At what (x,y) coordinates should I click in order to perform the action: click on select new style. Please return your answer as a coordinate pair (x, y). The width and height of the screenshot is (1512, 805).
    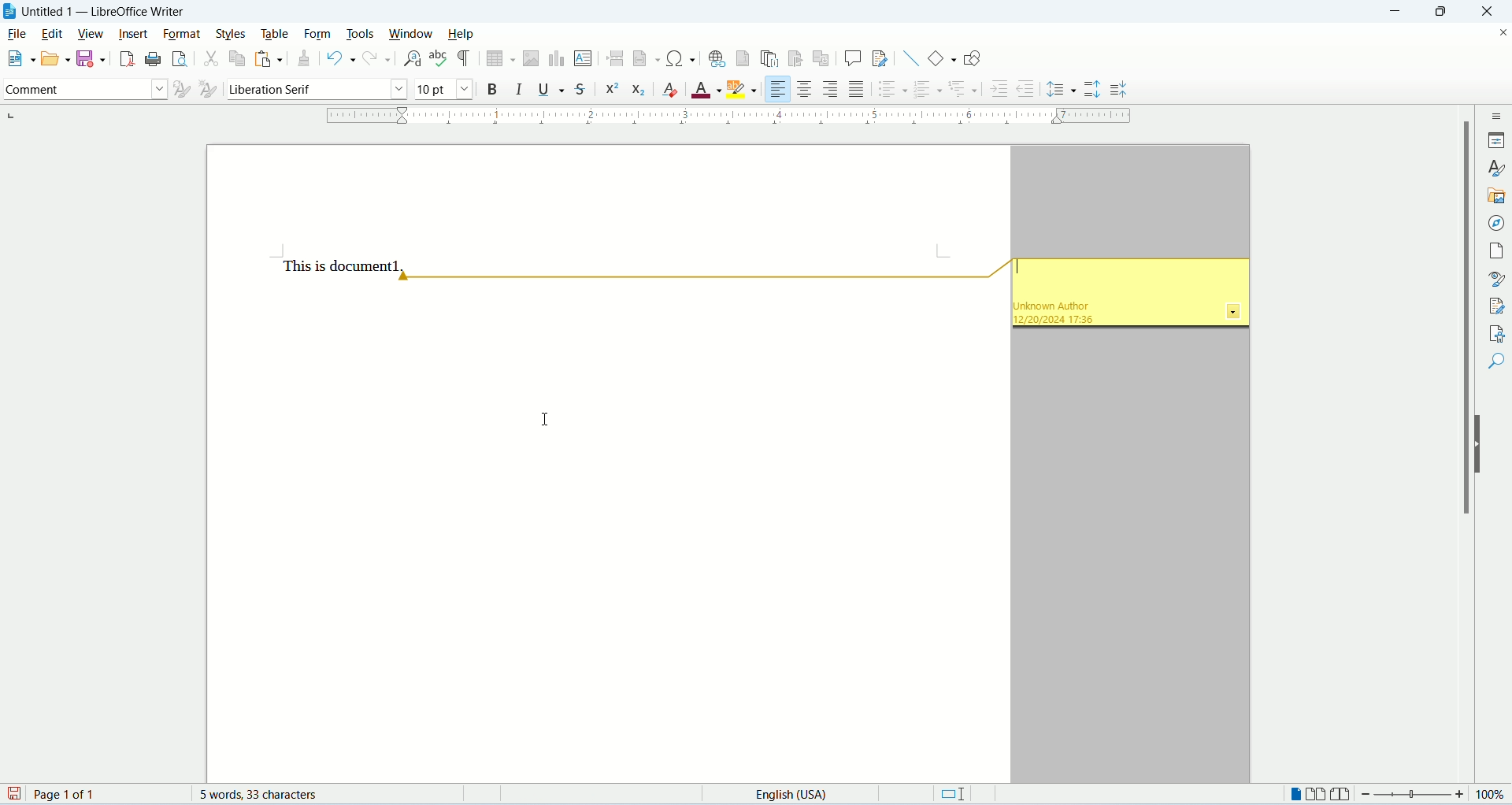
    Looking at the image, I should click on (206, 91).